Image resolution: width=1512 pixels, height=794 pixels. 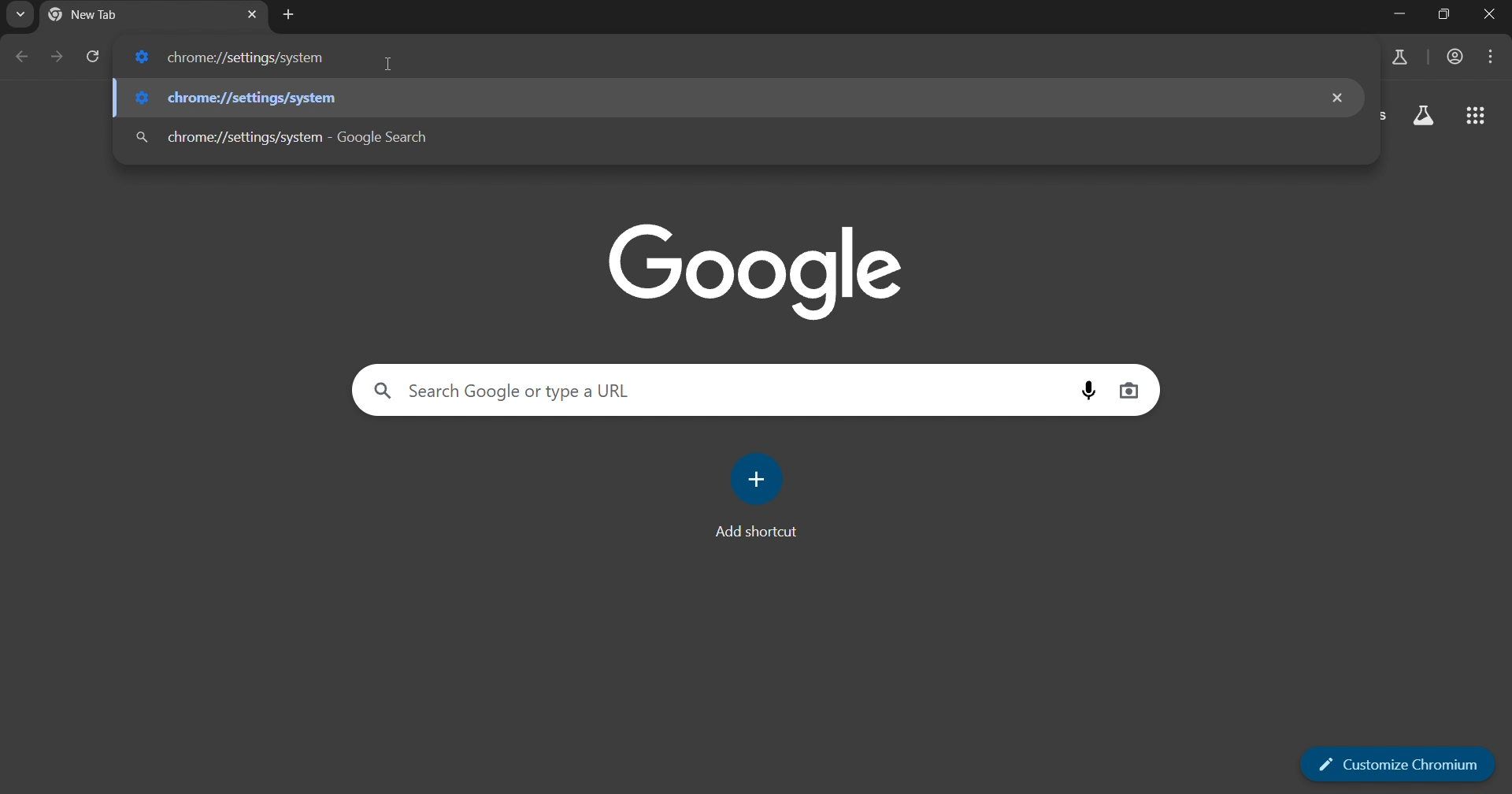 I want to click on Search Google or type a URL, so click(x=508, y=389).